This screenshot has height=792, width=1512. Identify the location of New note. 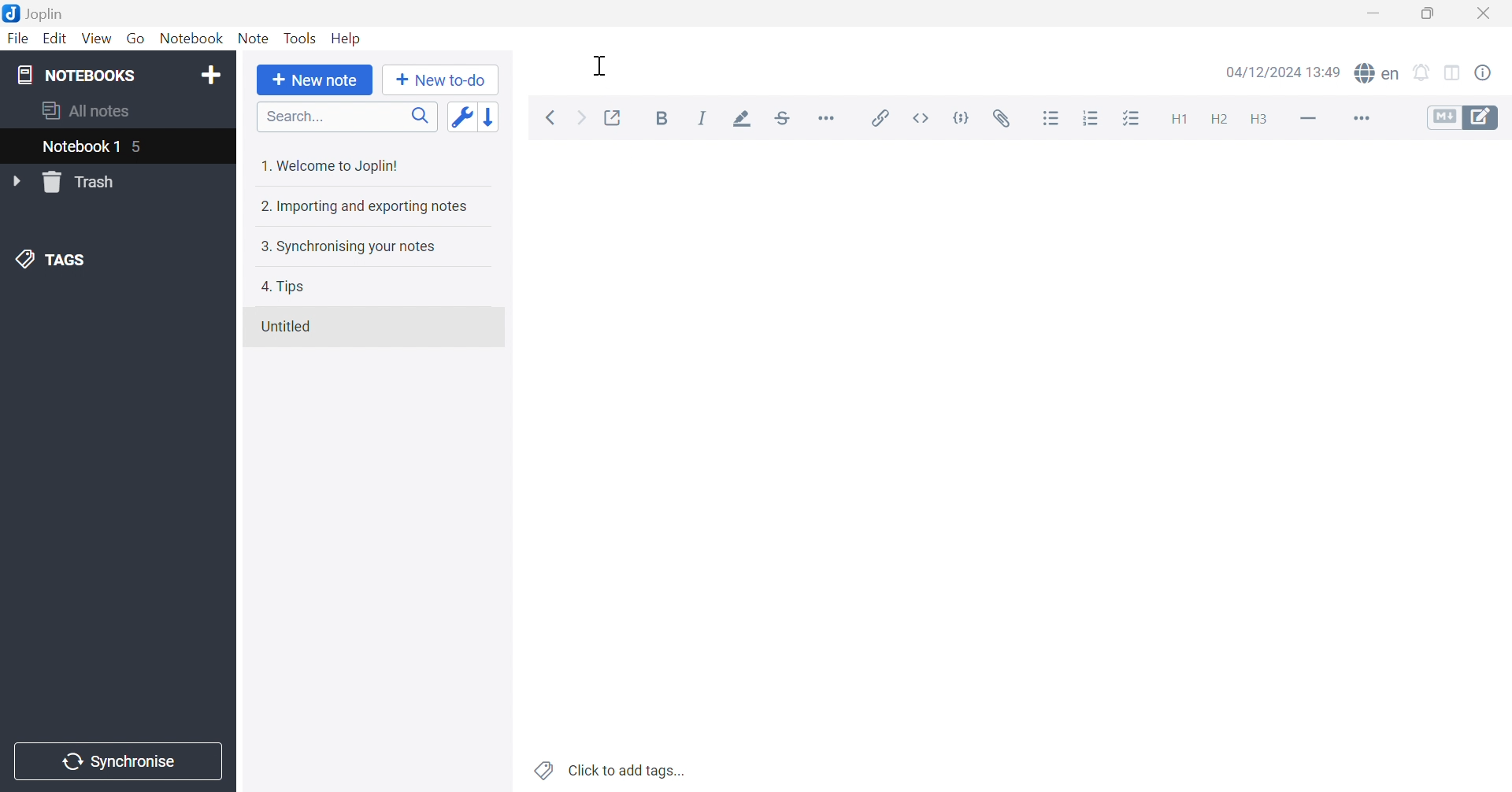
(318, 81).